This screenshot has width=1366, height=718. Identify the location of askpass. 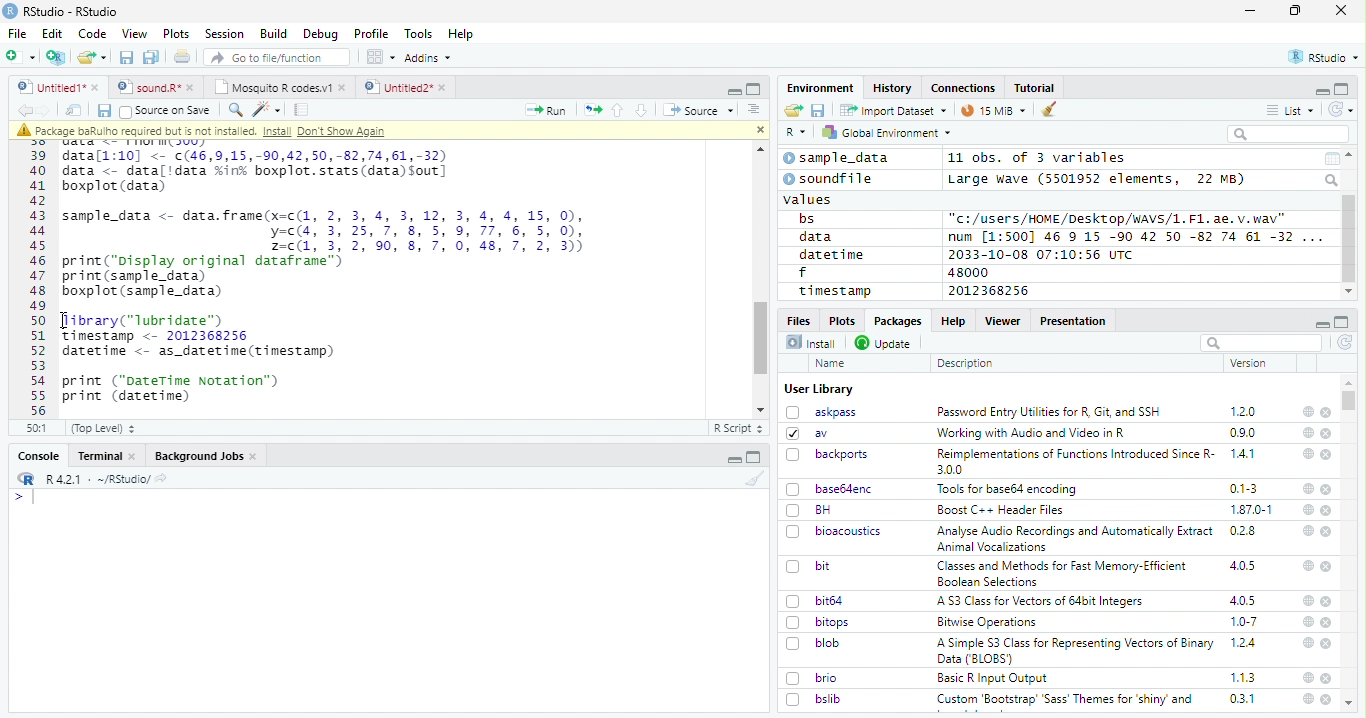
(820, 412).